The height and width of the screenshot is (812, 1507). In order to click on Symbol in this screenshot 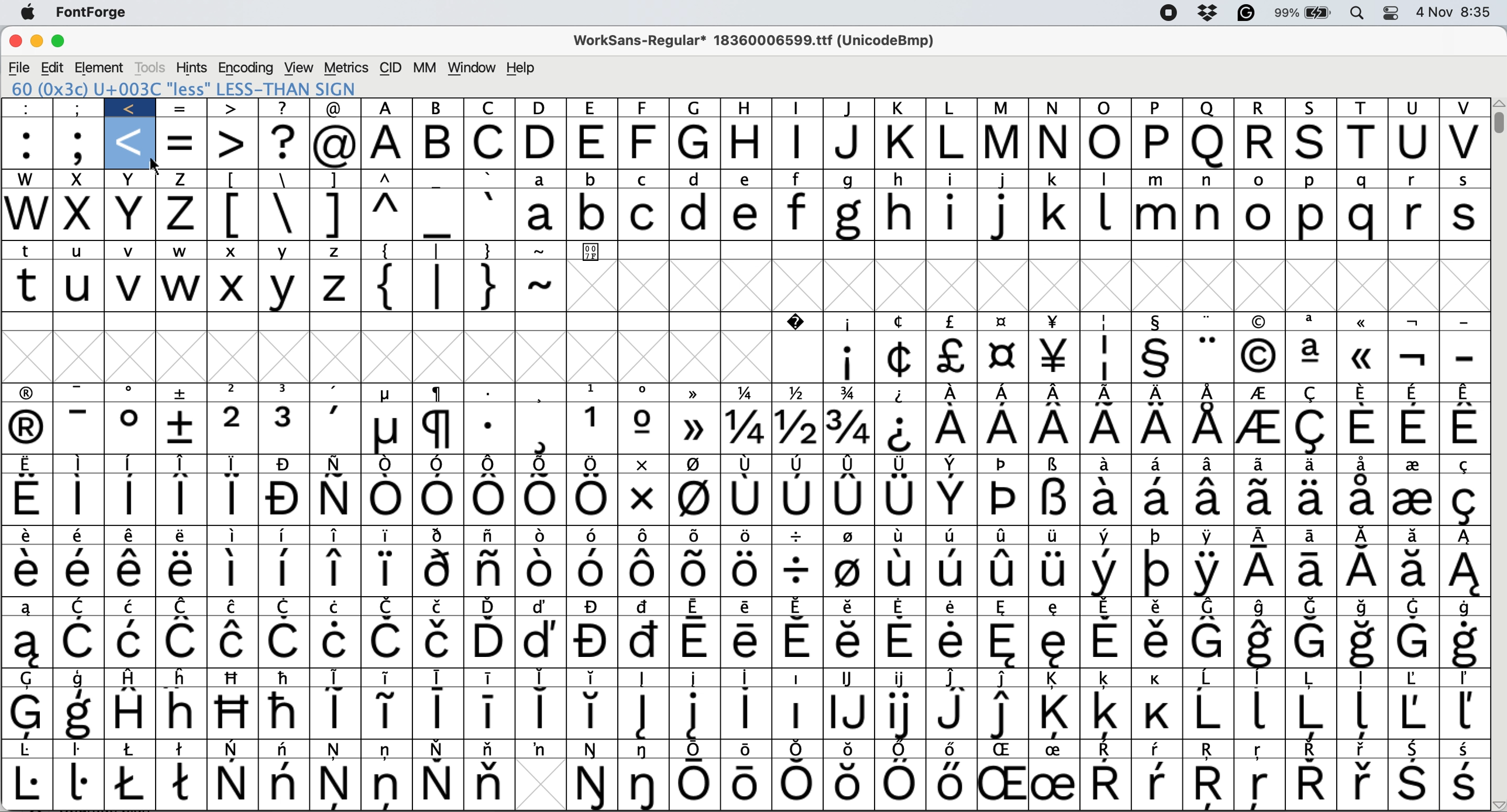, I will do `click(1003, 465)`.